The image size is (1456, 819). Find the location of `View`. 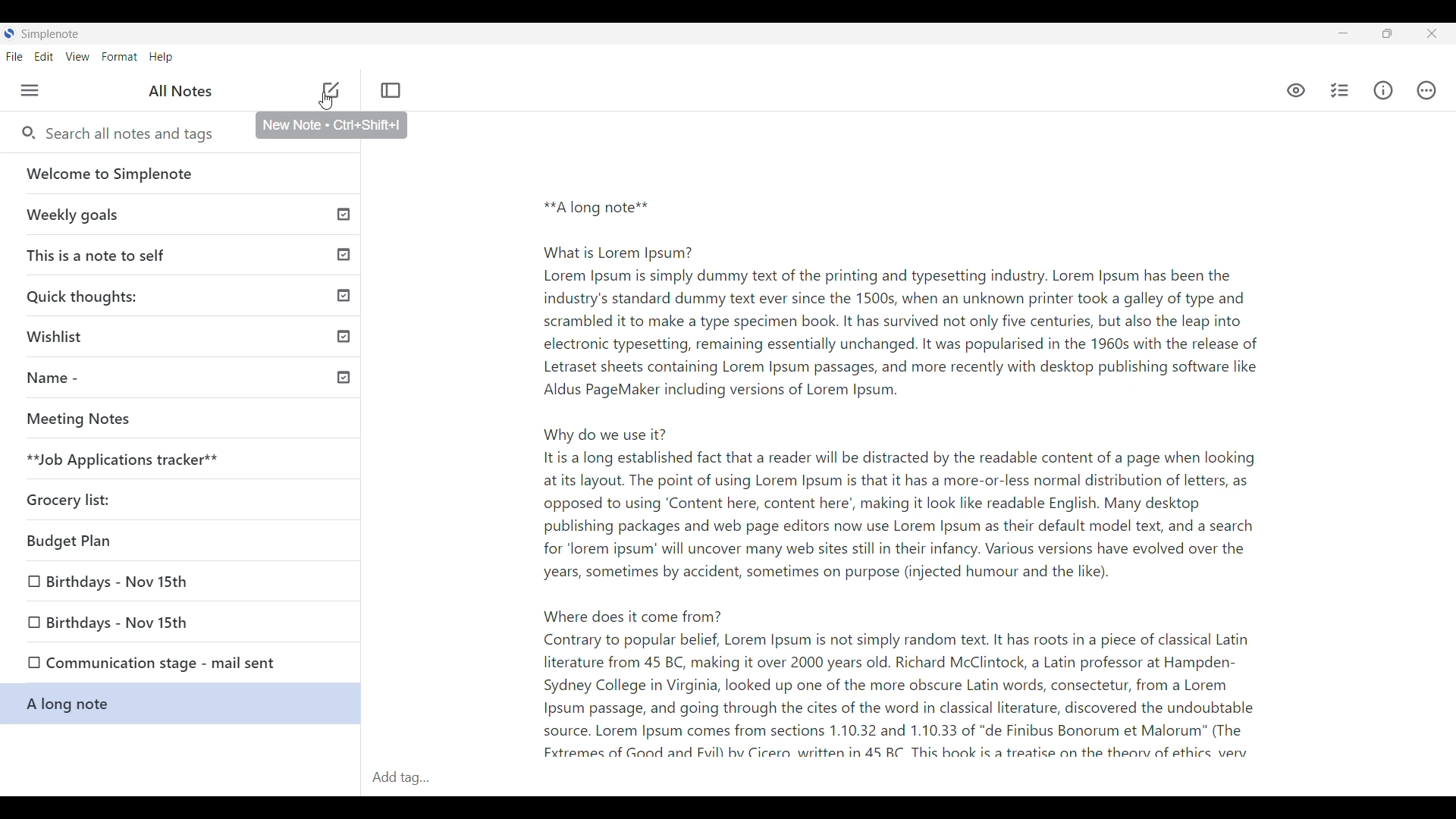

View is located at coordinates (78, 57).